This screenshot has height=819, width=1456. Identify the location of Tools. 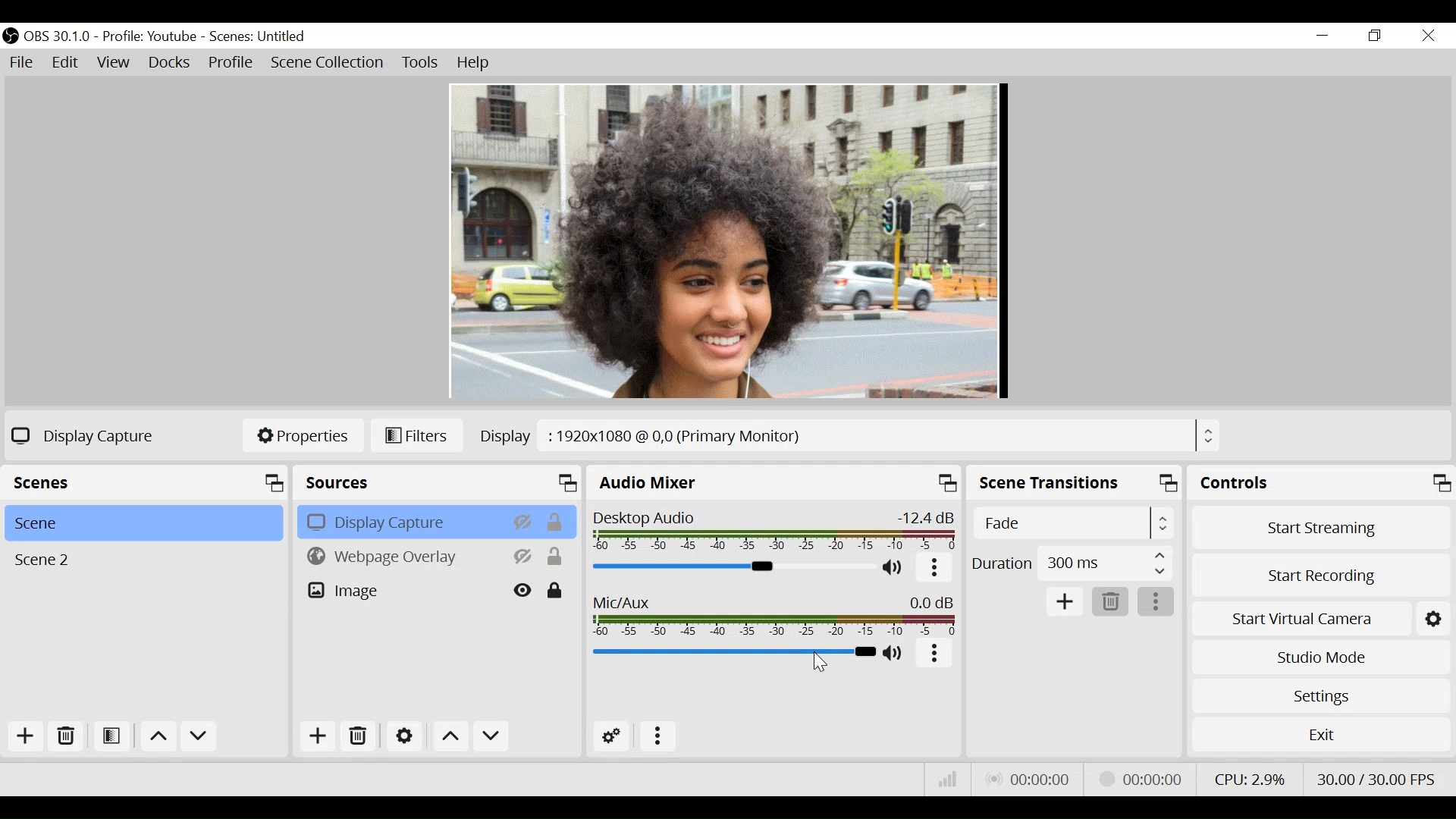
(422, 63).